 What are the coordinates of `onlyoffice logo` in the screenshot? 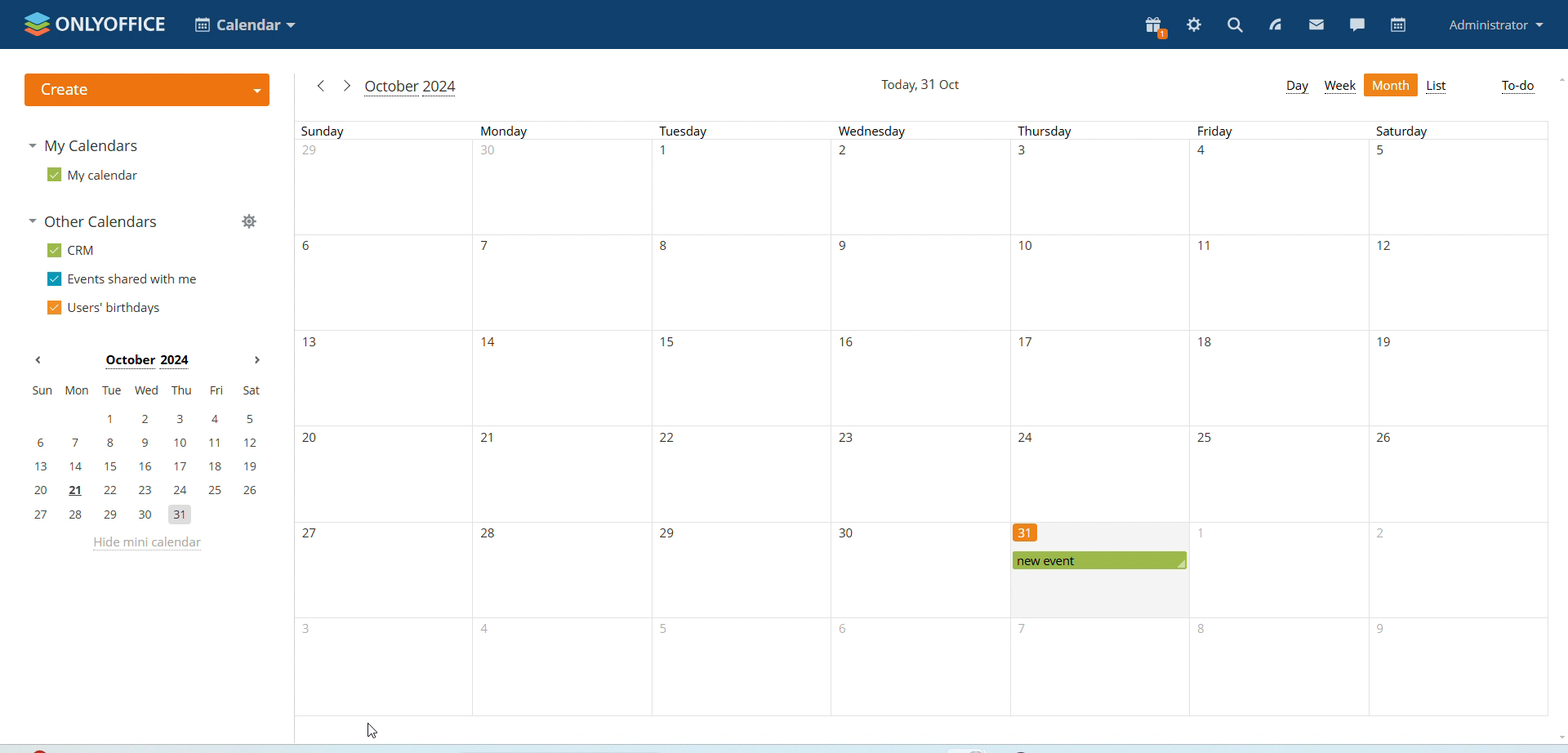 It's located at (95, 24).